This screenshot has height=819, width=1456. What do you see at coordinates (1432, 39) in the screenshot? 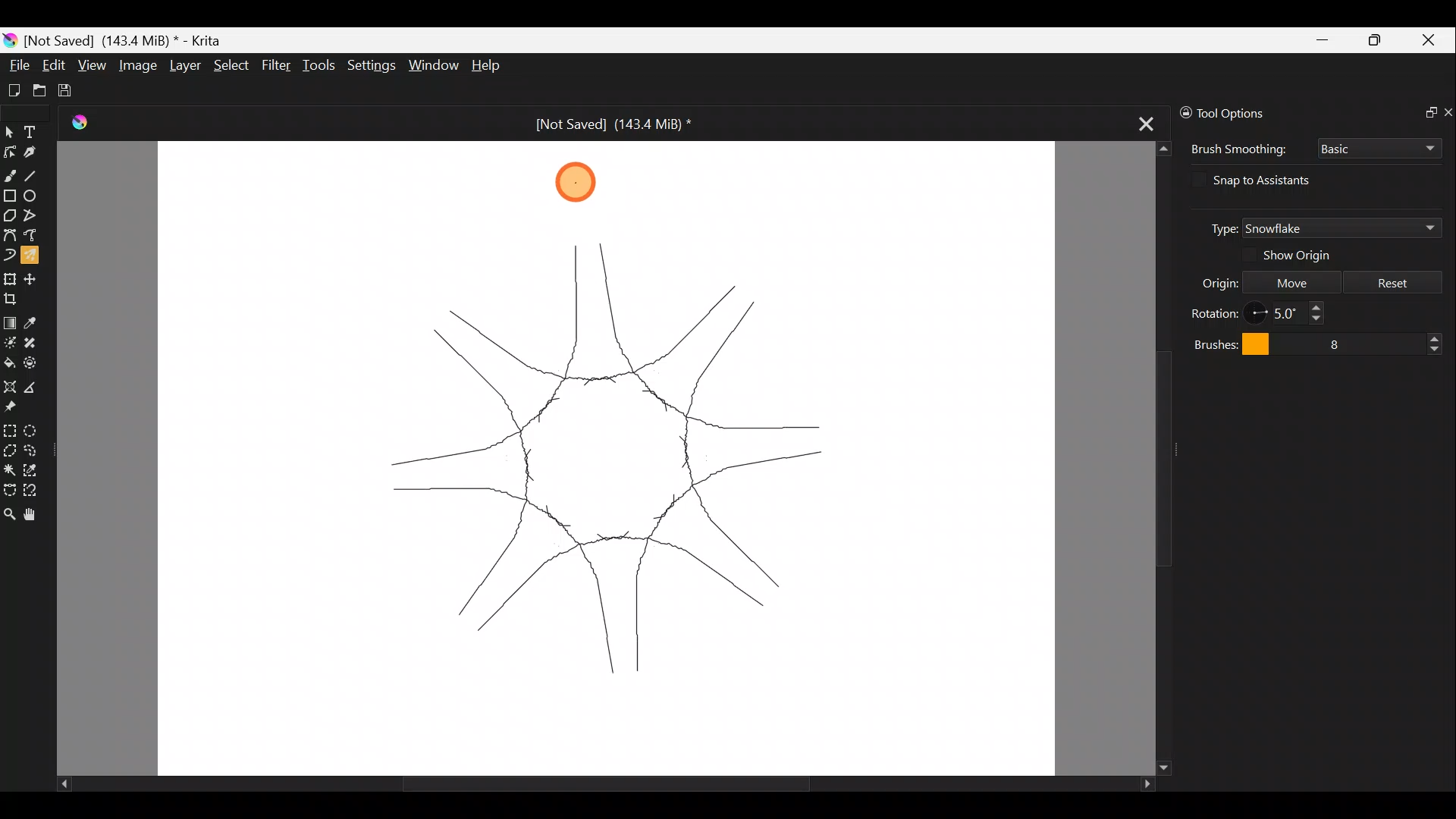
I see `Close` at bounding box center [1432, 39].